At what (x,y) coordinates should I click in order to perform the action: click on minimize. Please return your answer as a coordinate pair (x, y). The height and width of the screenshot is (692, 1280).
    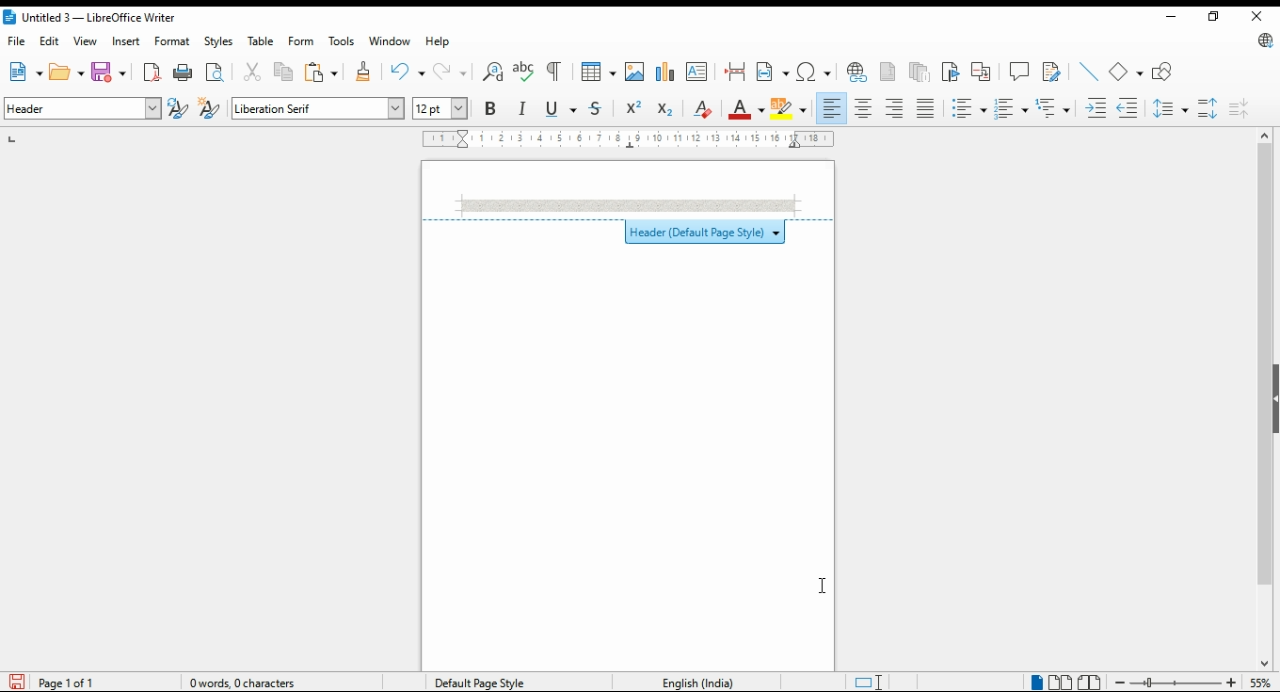
    Looking at the image, I should click on (1169, 15).